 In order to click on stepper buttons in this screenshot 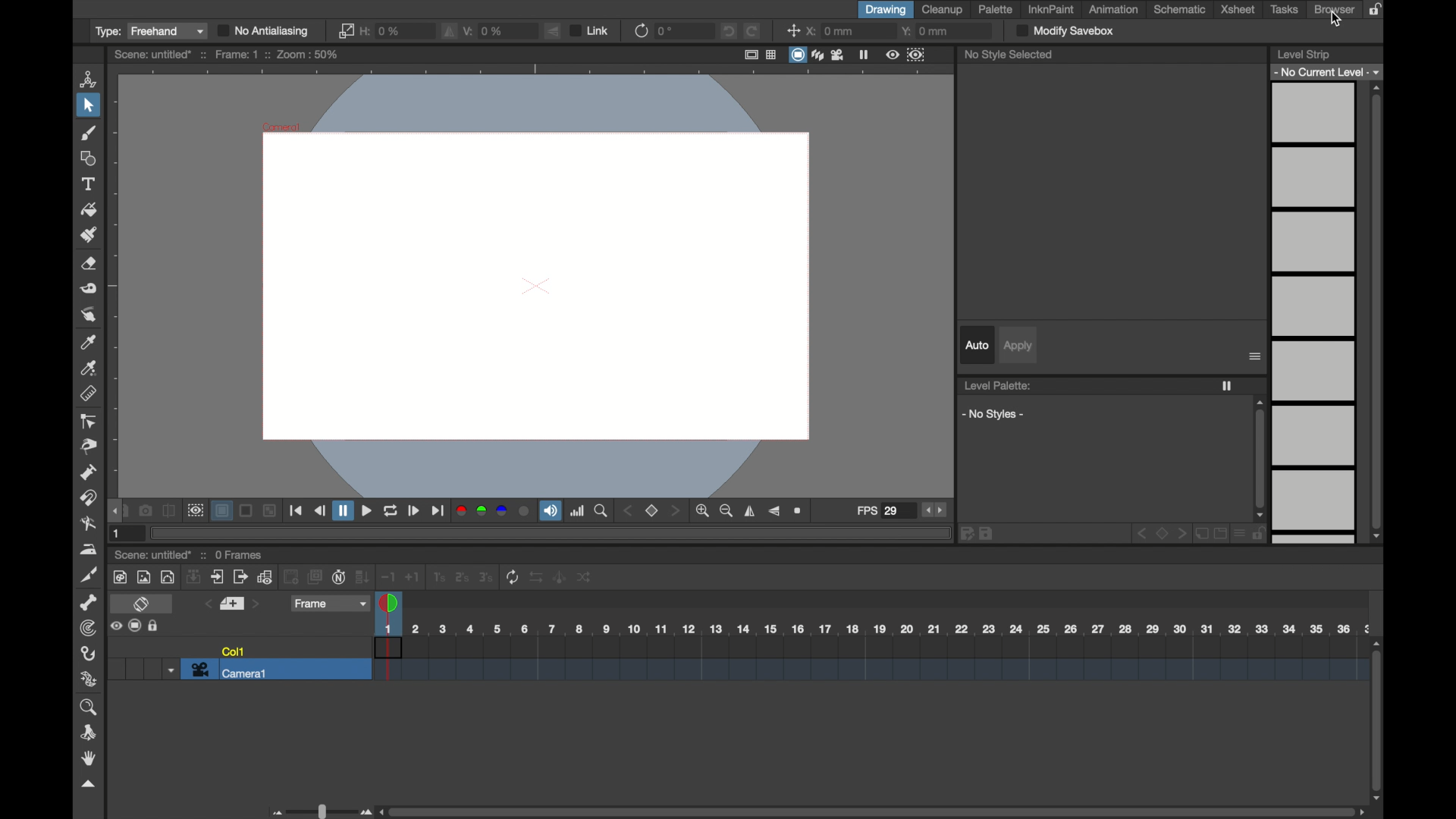, I will do `click(934, 510)`.